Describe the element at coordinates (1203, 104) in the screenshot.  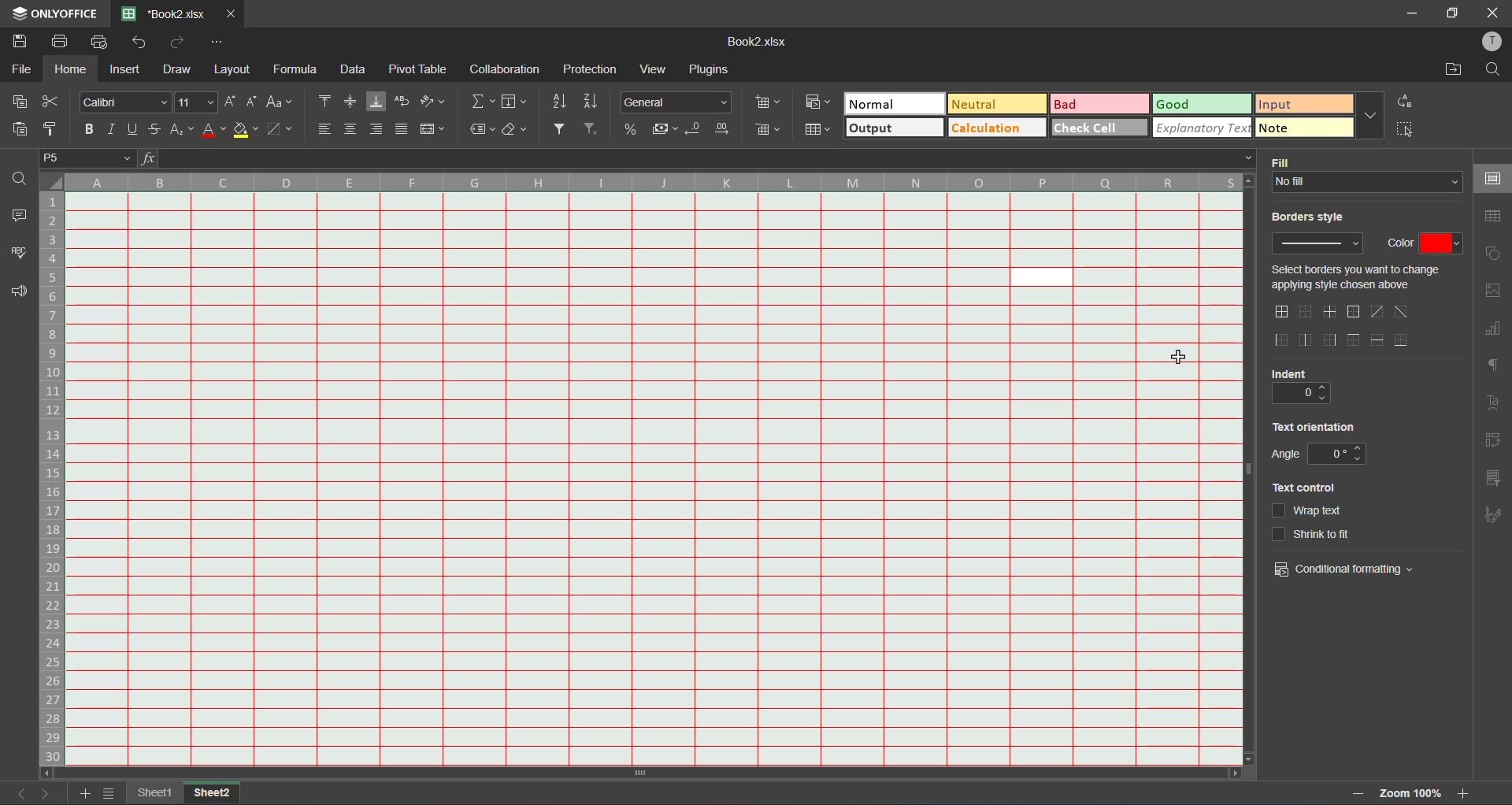
I see `good` at that location.